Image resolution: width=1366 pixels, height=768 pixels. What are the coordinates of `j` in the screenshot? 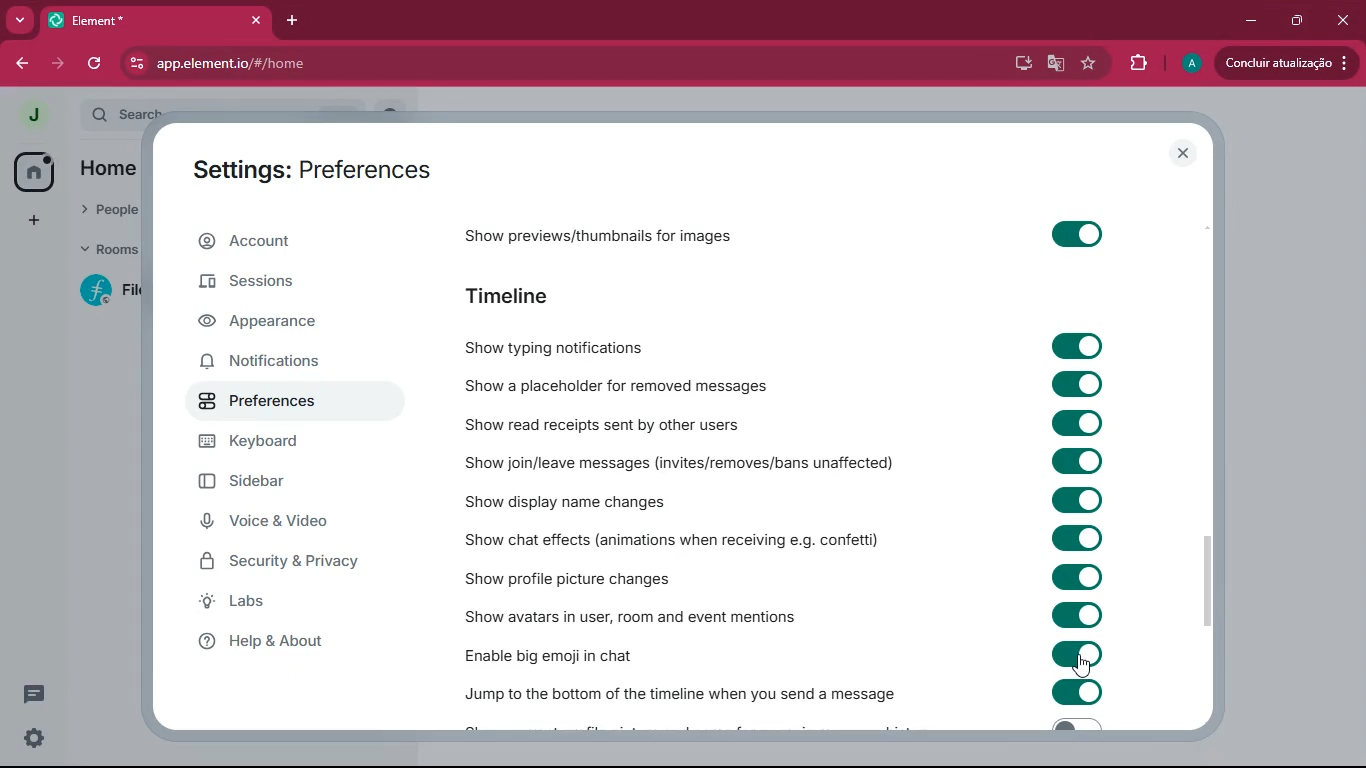 It's located at (30, 117).